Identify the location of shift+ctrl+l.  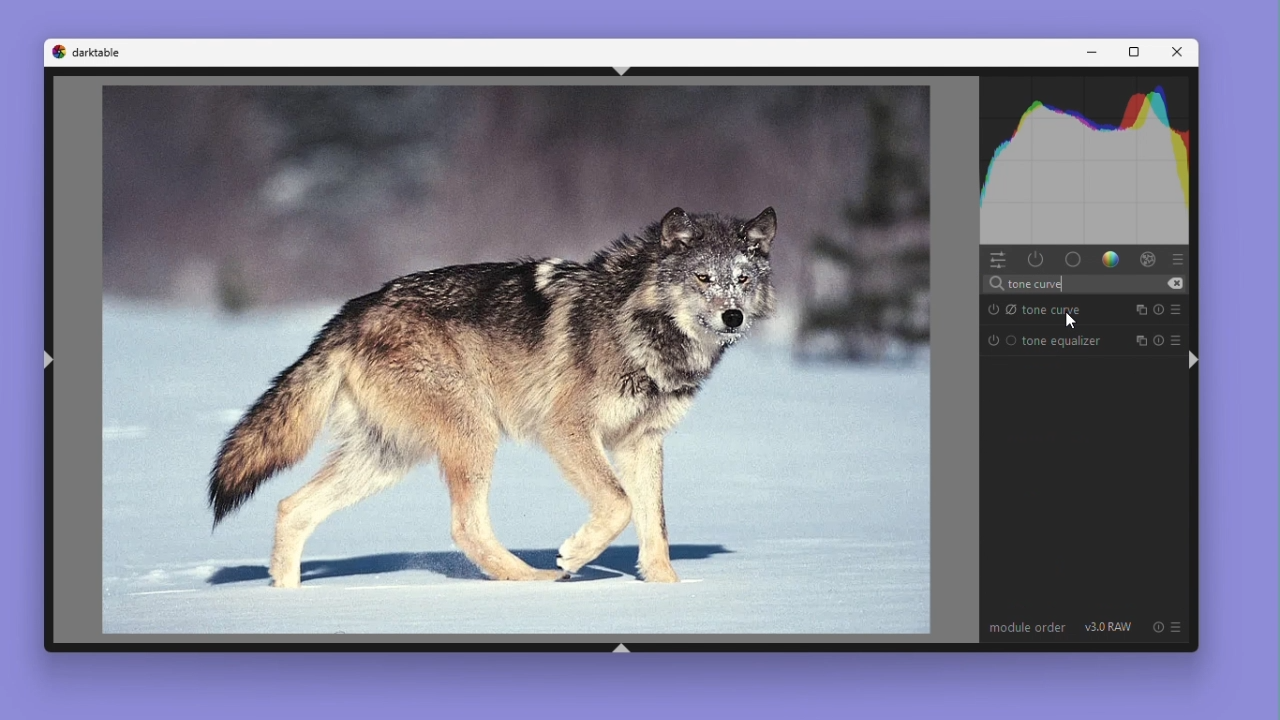
(49, 359).